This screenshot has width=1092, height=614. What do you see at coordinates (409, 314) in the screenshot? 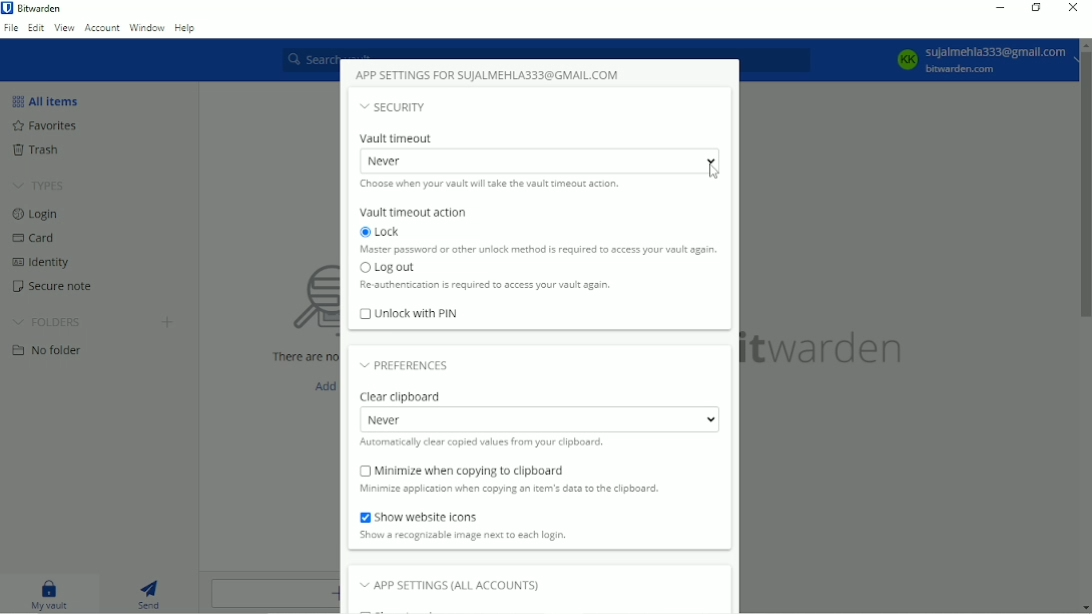
I see `Unlock with PIN` at bounding box center [409, 314].